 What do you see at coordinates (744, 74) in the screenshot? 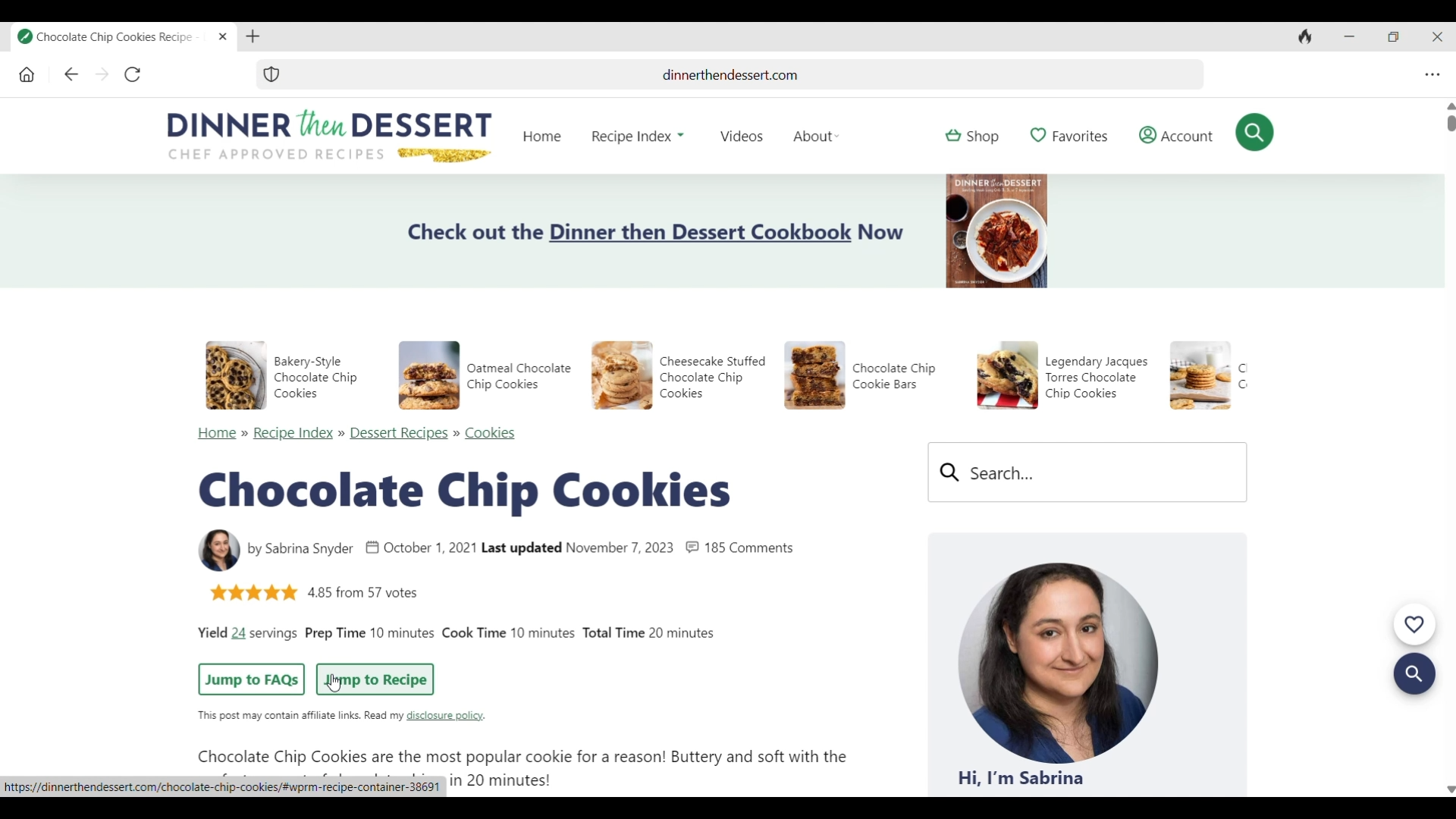
I see `dinnerthendessert.com` at bounding box center [744, 74].